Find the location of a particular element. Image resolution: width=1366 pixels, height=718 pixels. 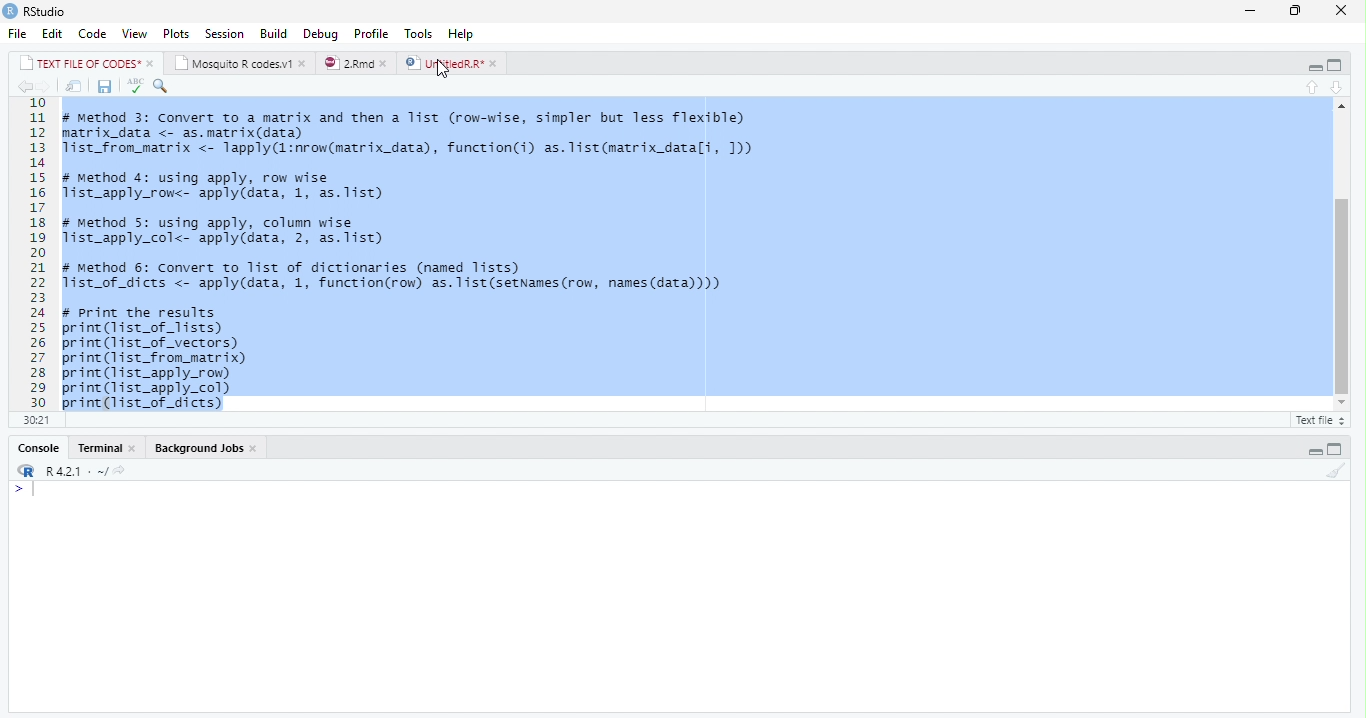

Clear is located at coordinates (1334, 470).